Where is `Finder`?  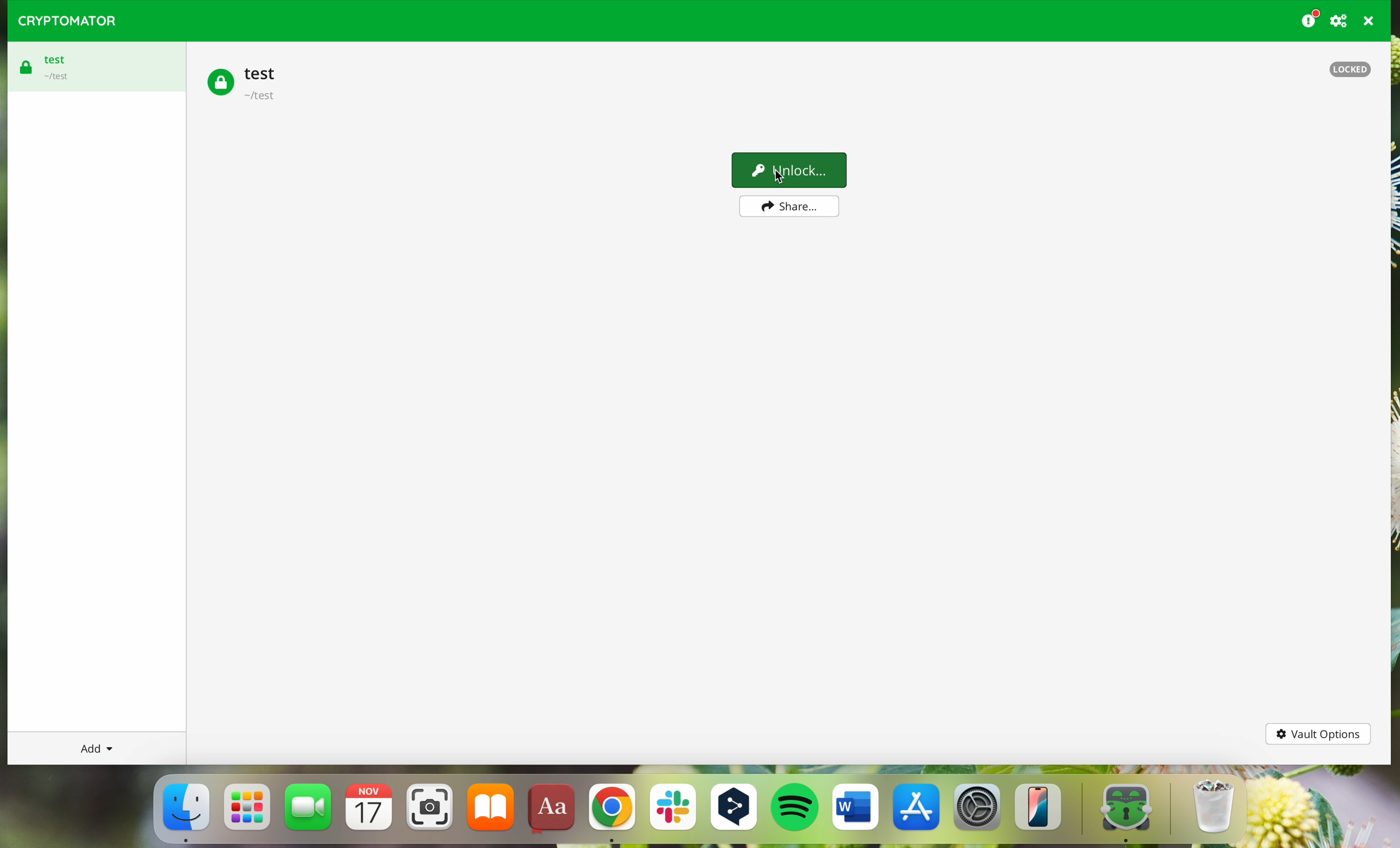
Finder is located at coordinates (185, 810).